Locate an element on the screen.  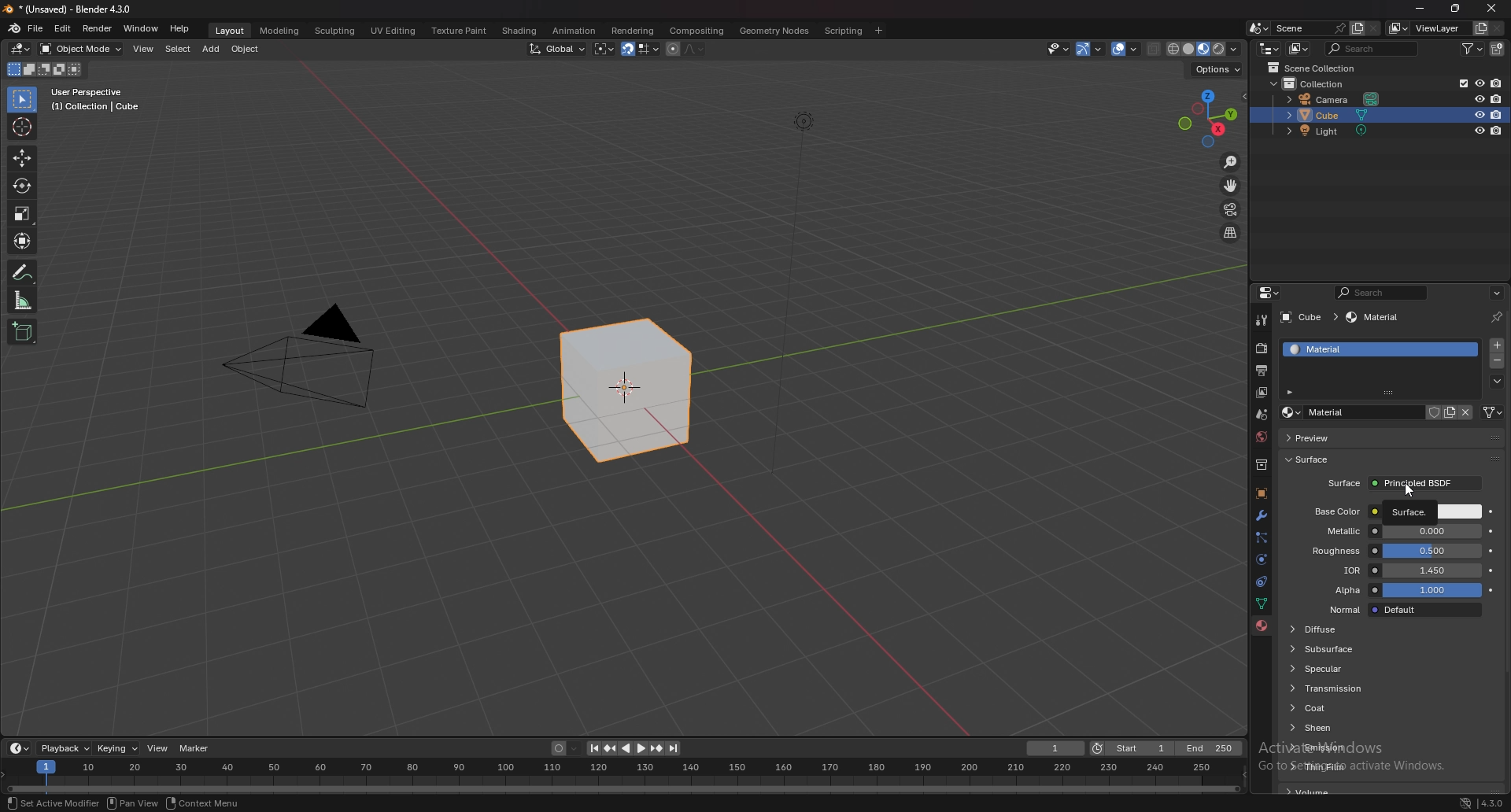
name is located at coordinates (1350, 413).